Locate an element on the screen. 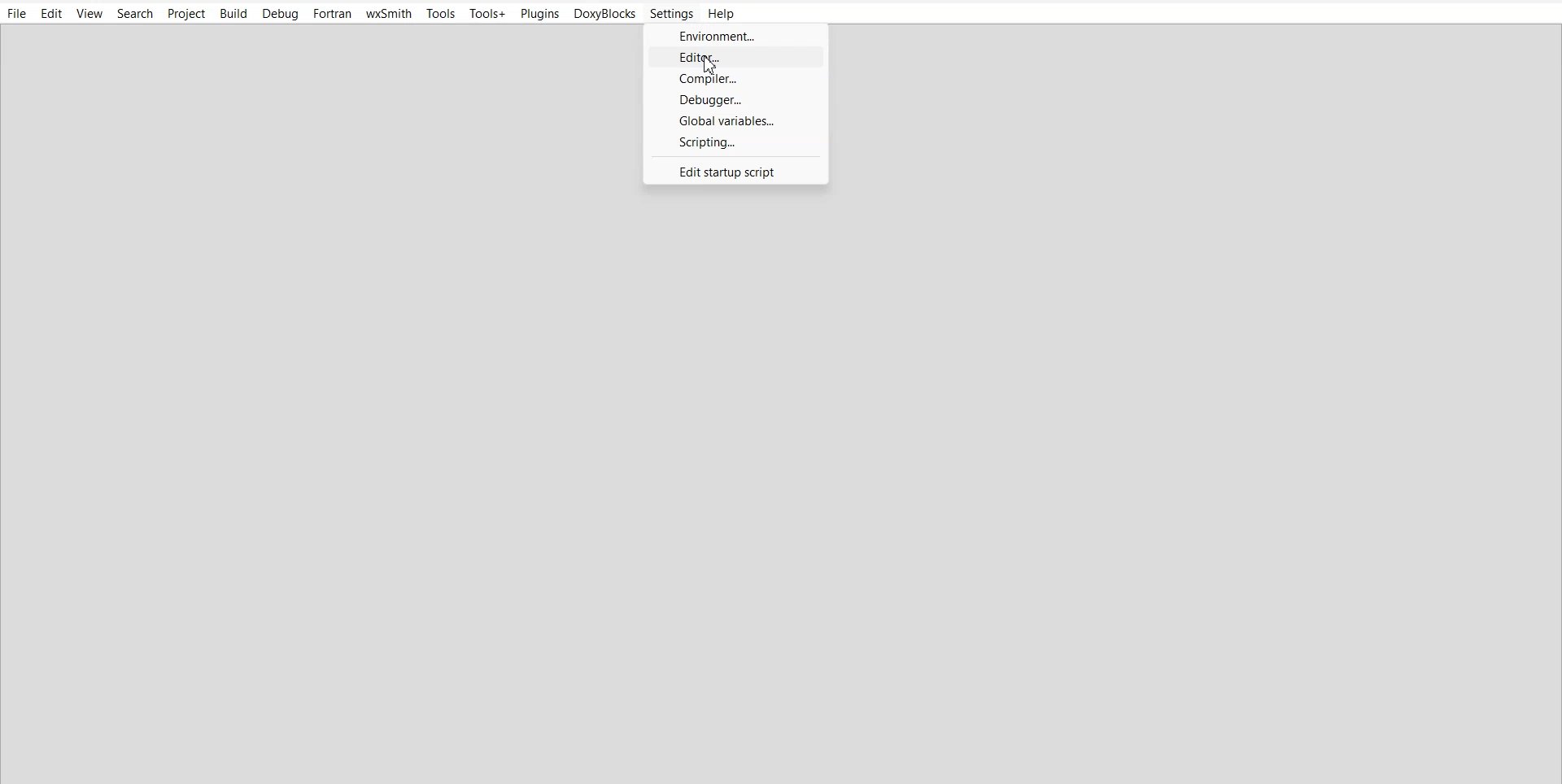 This screenshot has width=1562, height=784. Settings is located at coordinates (672, 14).